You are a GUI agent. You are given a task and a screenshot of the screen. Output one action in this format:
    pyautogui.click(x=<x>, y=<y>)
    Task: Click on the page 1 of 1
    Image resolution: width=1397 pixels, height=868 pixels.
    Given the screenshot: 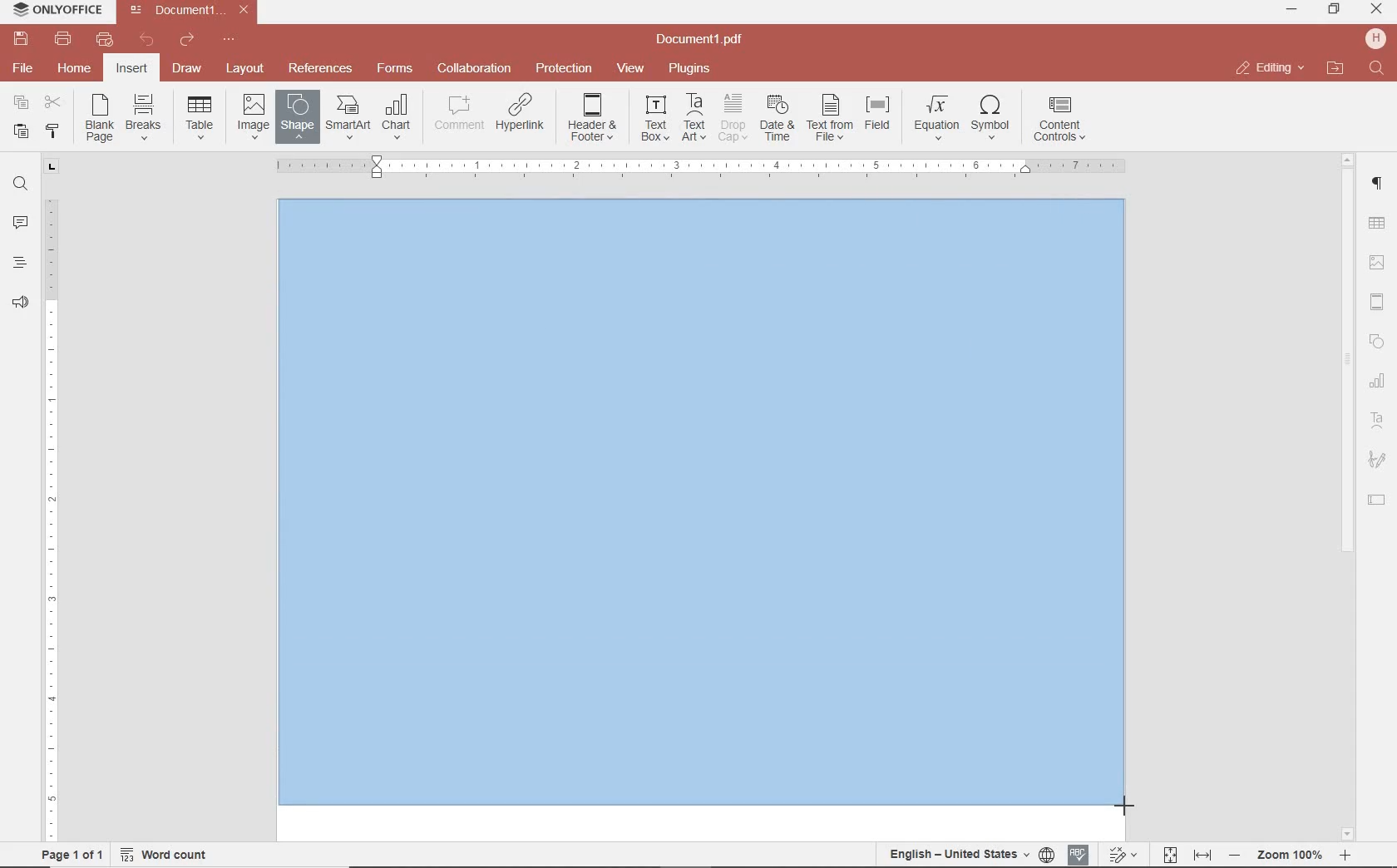 What is the action you would take?
    pyautogui.click(x=69, y=853)
    